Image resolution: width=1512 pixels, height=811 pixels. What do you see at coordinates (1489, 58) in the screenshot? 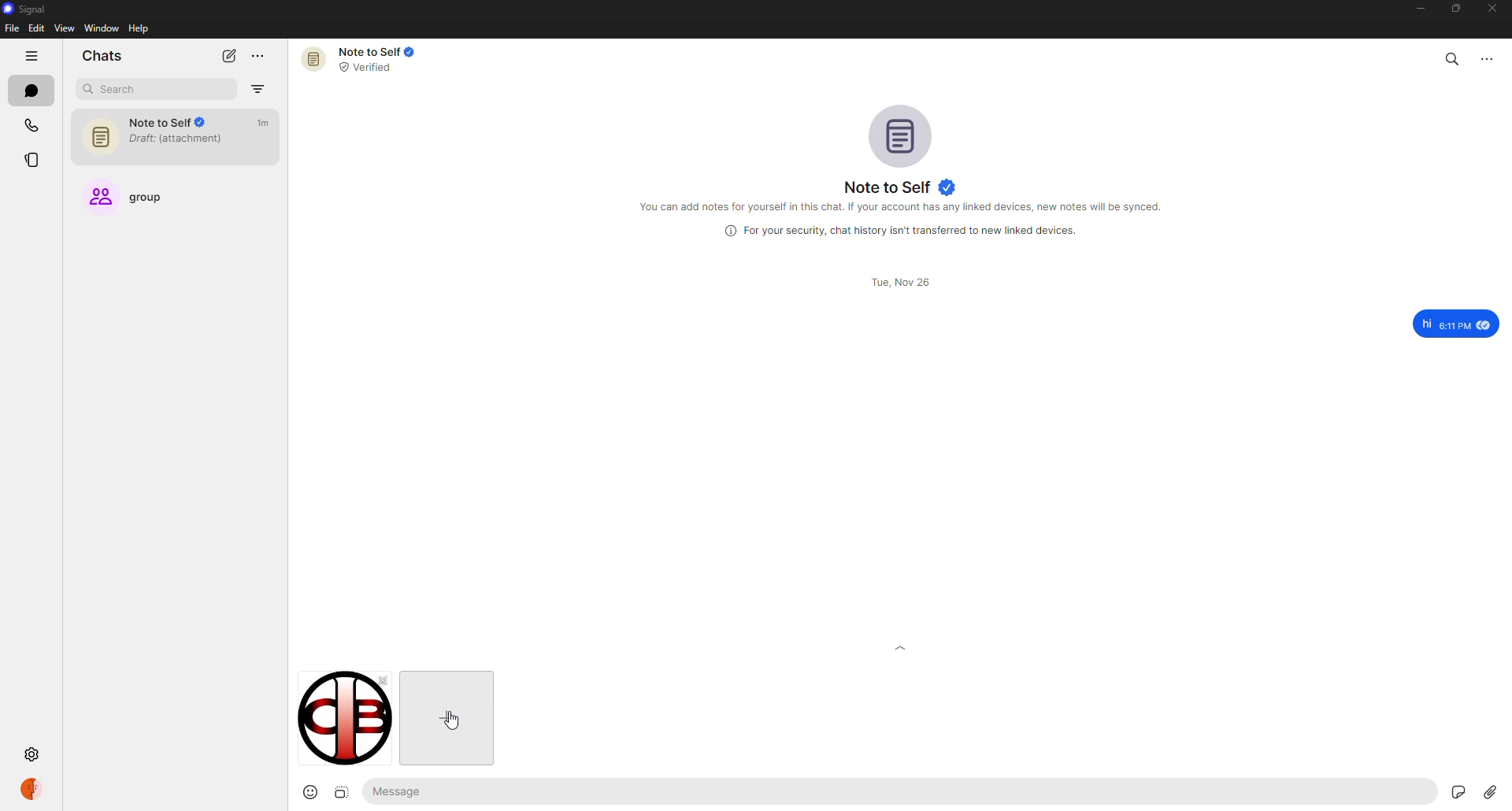
I see `more` at bounding box center [1489, 58].